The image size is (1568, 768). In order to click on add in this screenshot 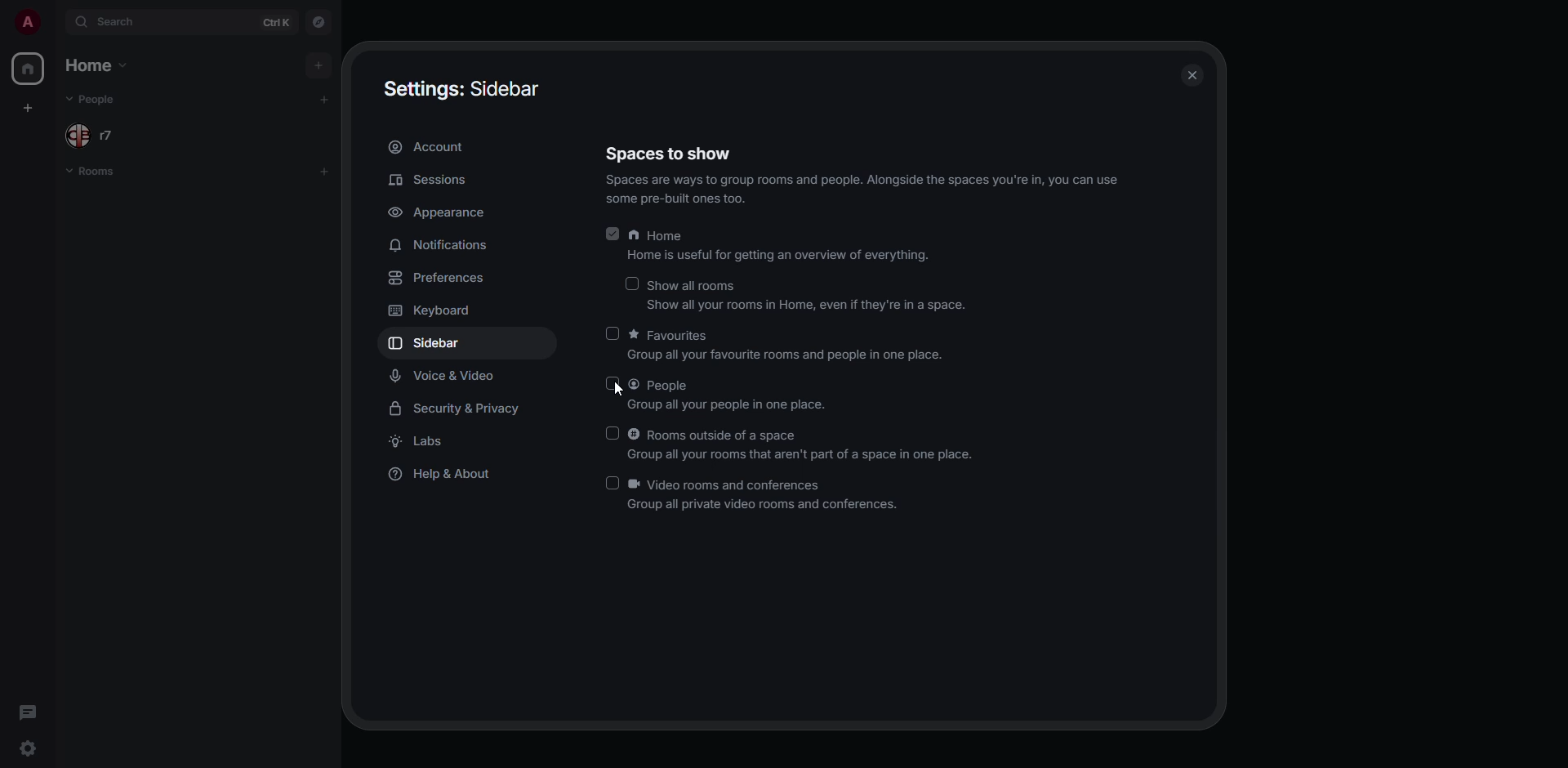, I will do `click(329, 169)`.